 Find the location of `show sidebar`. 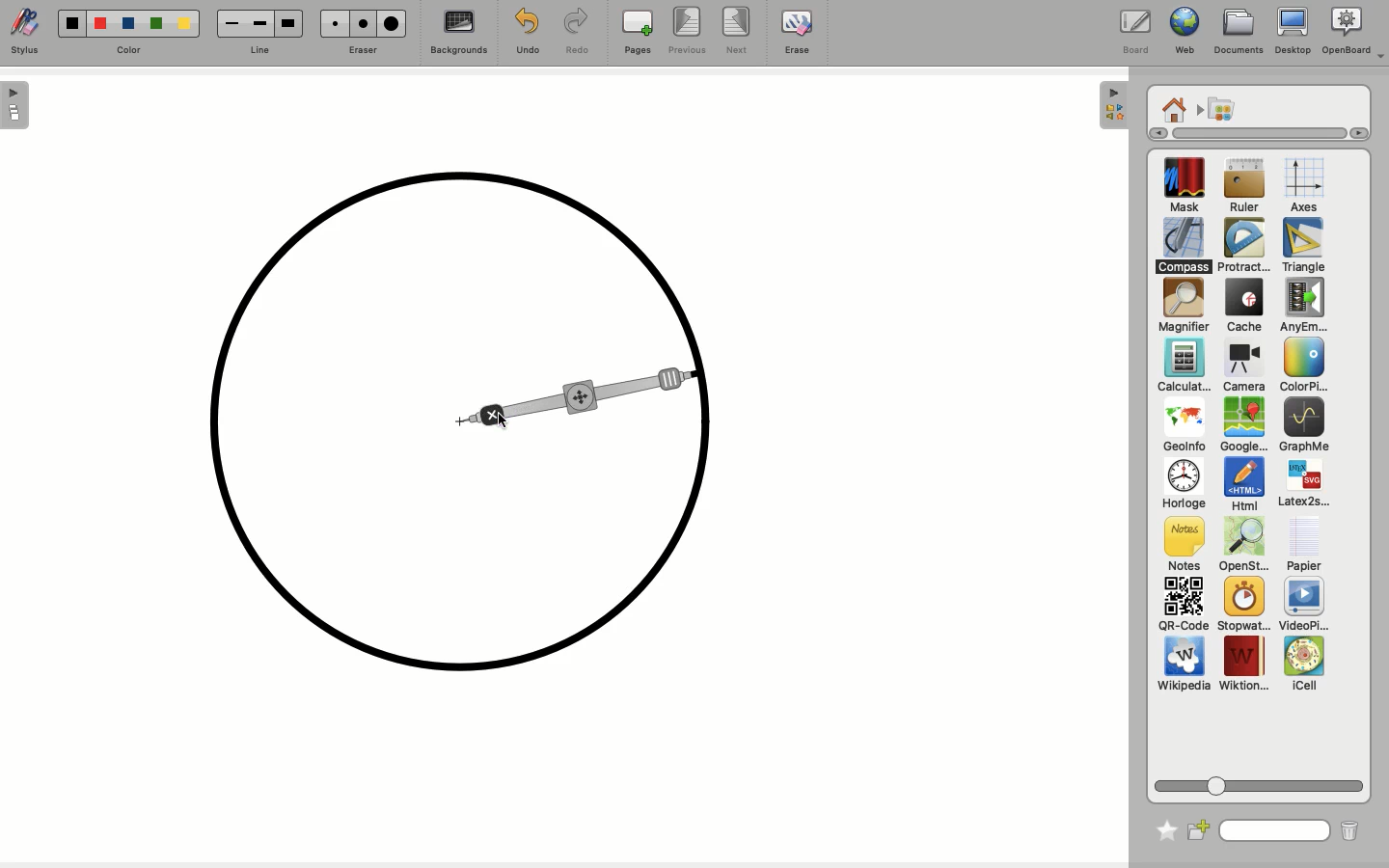

show sidebar is located at coordinates (16, 105).